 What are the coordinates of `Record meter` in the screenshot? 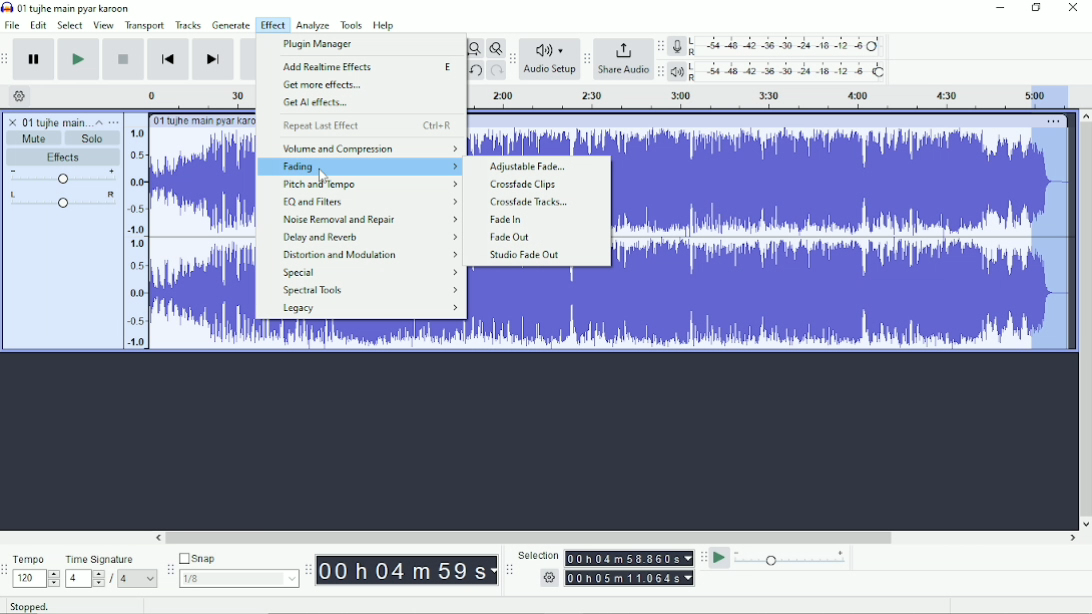 It's located at (777, 46).